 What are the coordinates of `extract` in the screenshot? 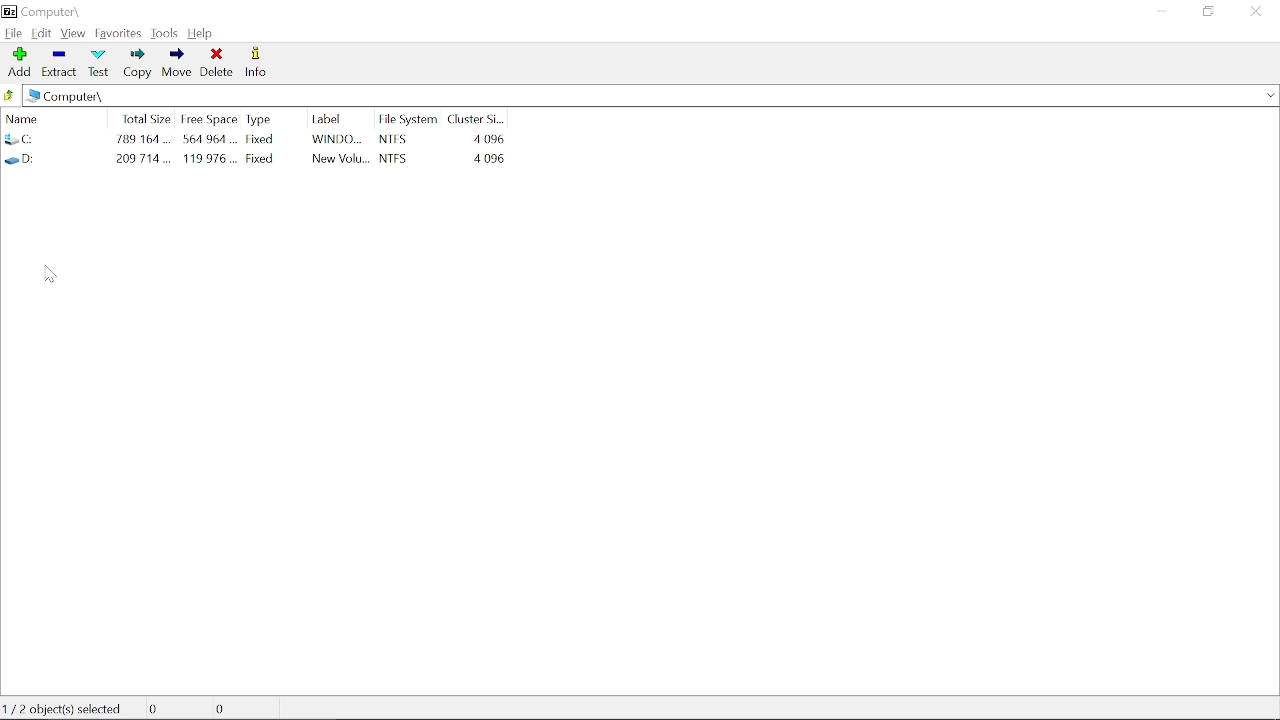 It's located at (58, 61).